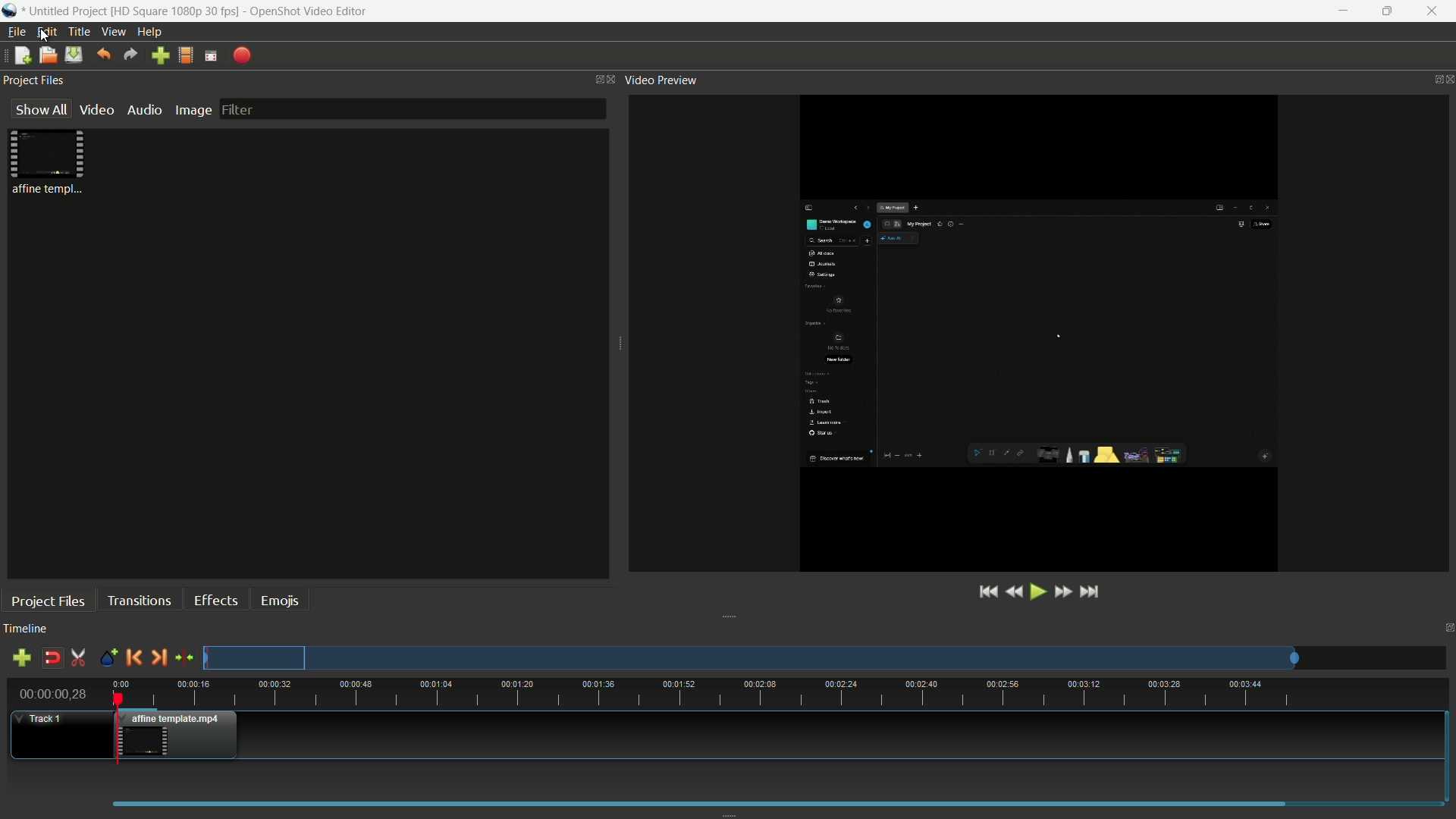 This screenshot has height=819, width=1456. Describe the element at coordinates (184, 657) in the screenshot. I see `center the timeline on the playhead` at that location.